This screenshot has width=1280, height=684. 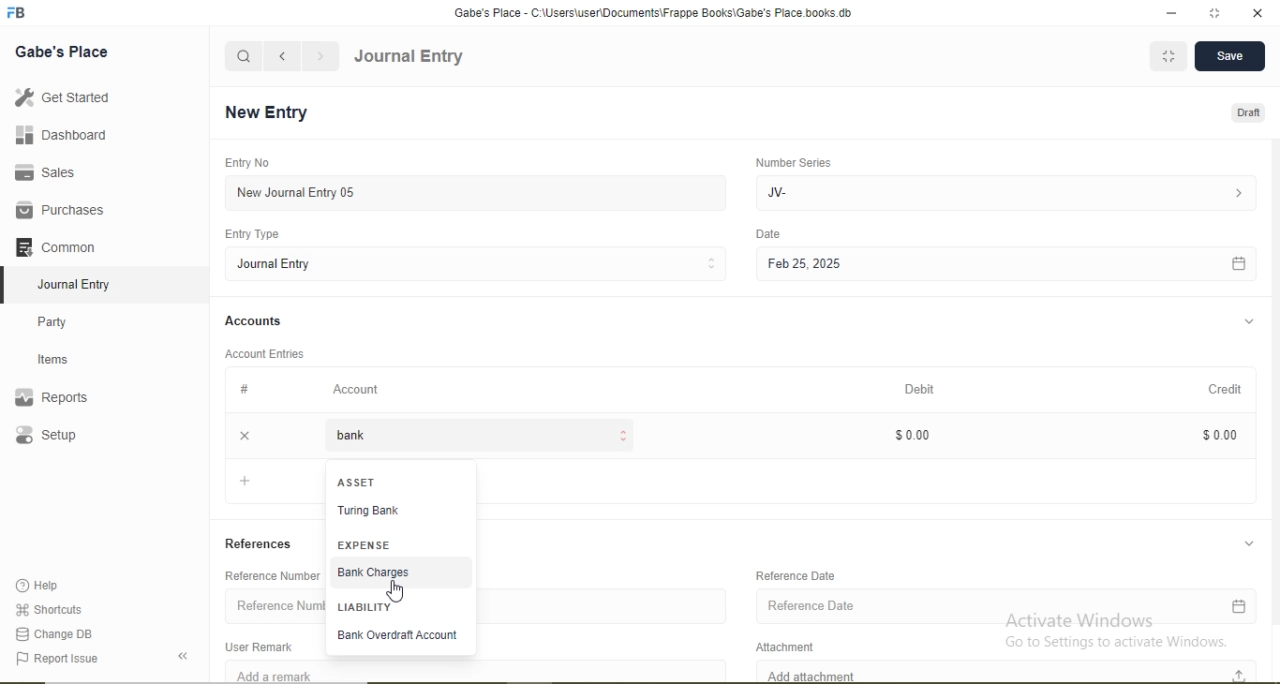 What do you see at coordinates (78, 659) in the screenshot?
I see `‘Report Issue` at bounding box center [78, 659].